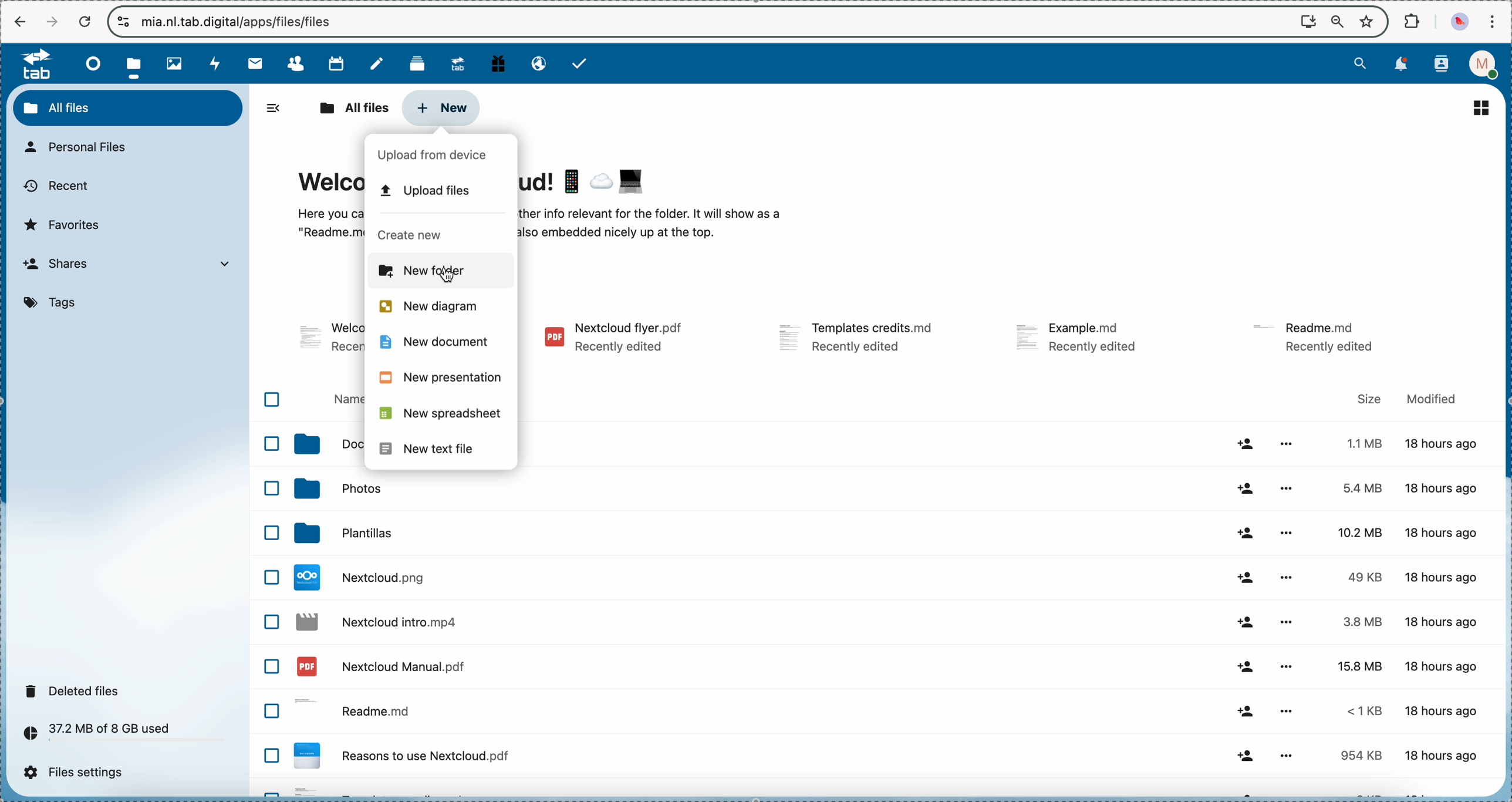 This screenshot has height=802, width=1512. What do you see at coordinates (1399, 65) in the screenshot?
I see `notifications` at bounding box center [1399, 65].